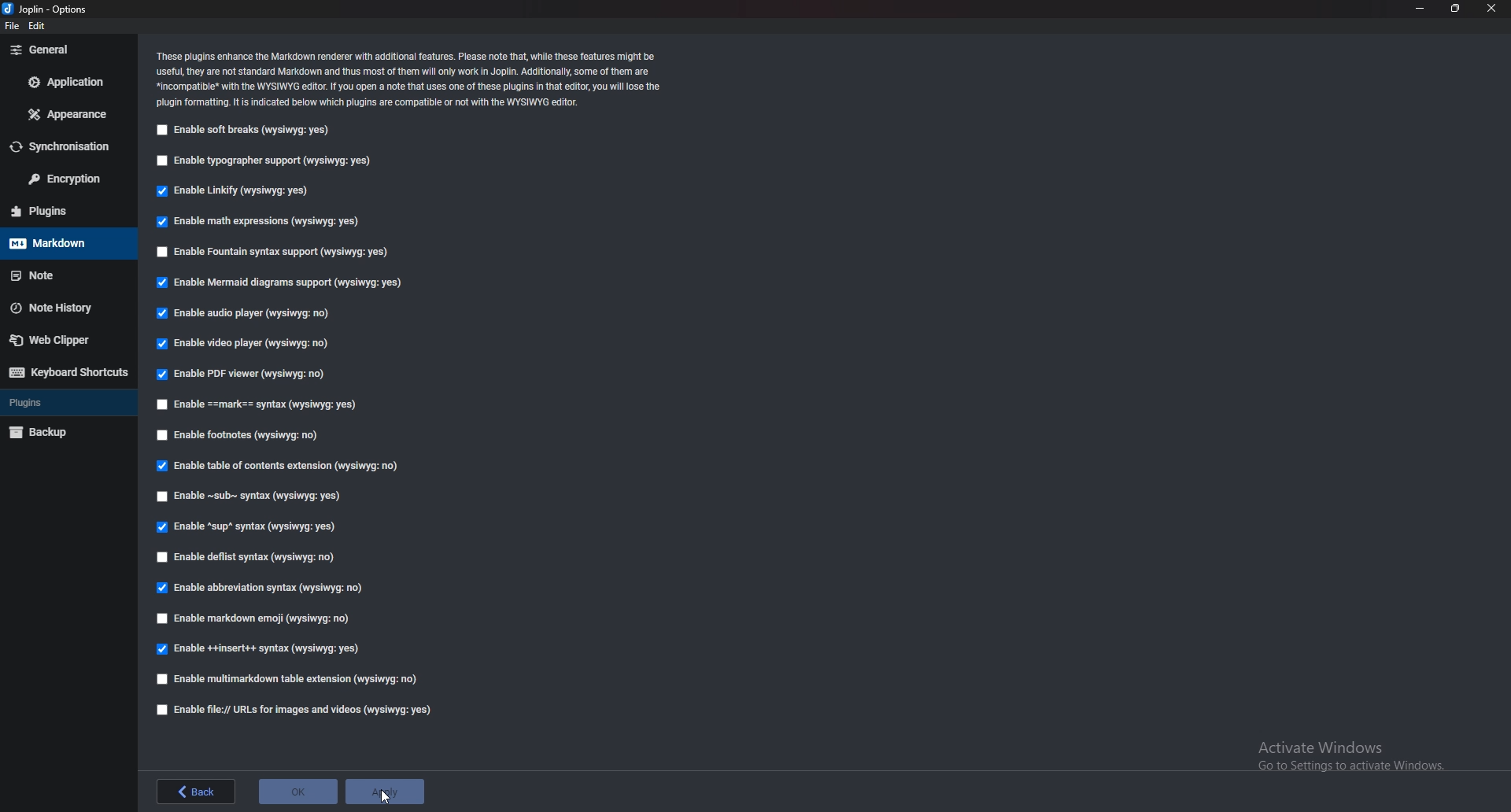  Describe the element at coordinates (272, 161) in the screenshot. I see `Enable typographer support` at that location.